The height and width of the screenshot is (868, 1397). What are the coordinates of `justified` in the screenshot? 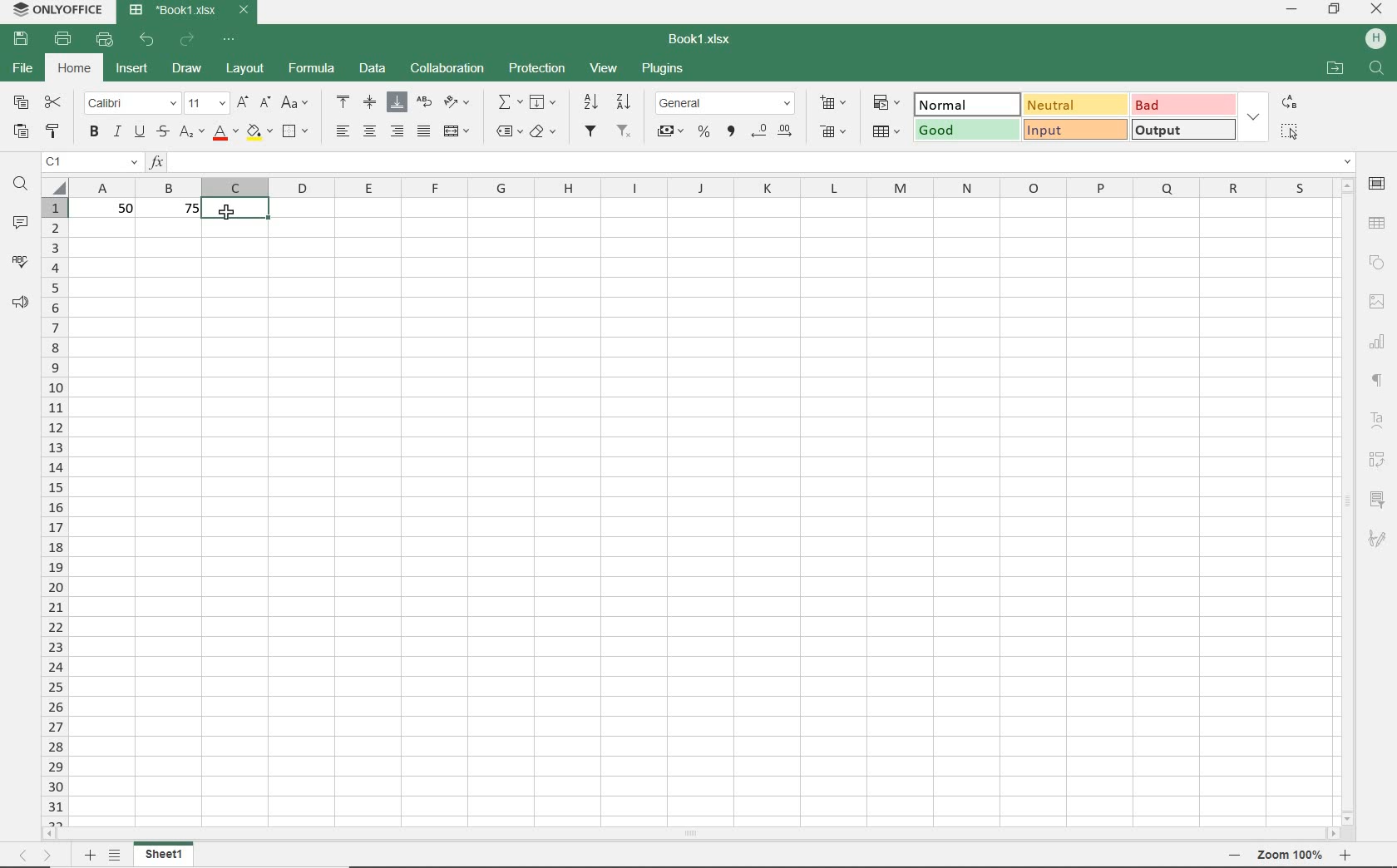 It's located at (422, 131).